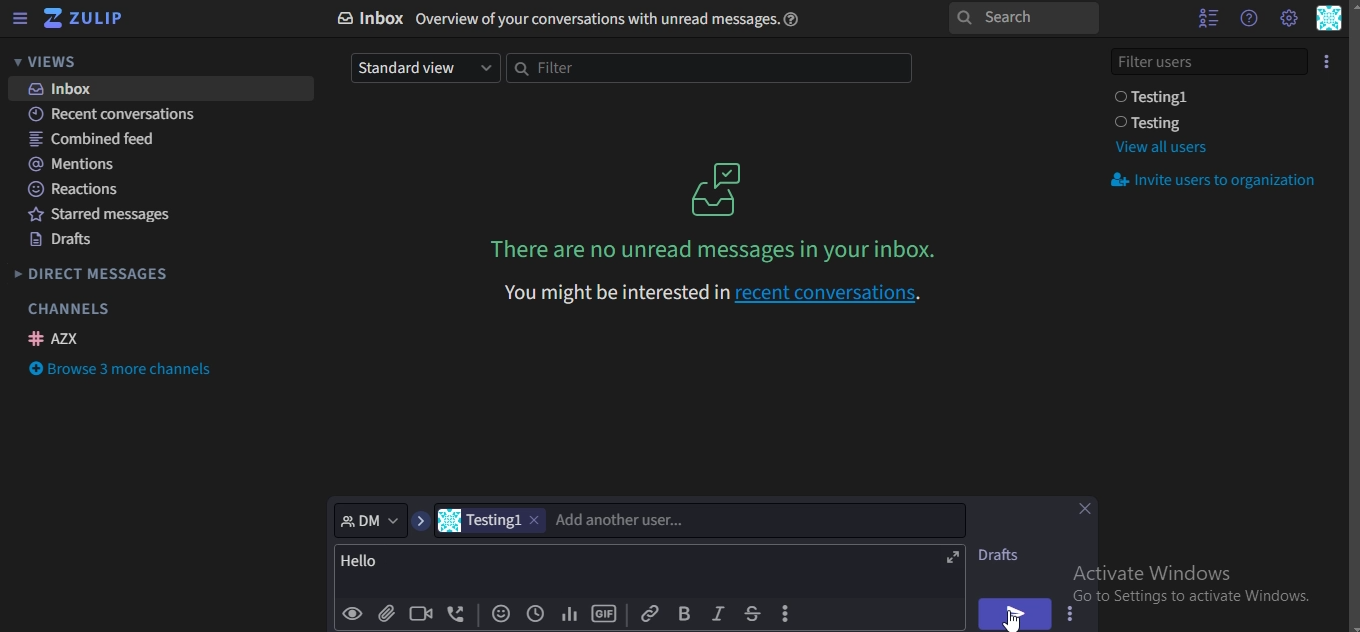  I want to click on views, so click(55, 62).